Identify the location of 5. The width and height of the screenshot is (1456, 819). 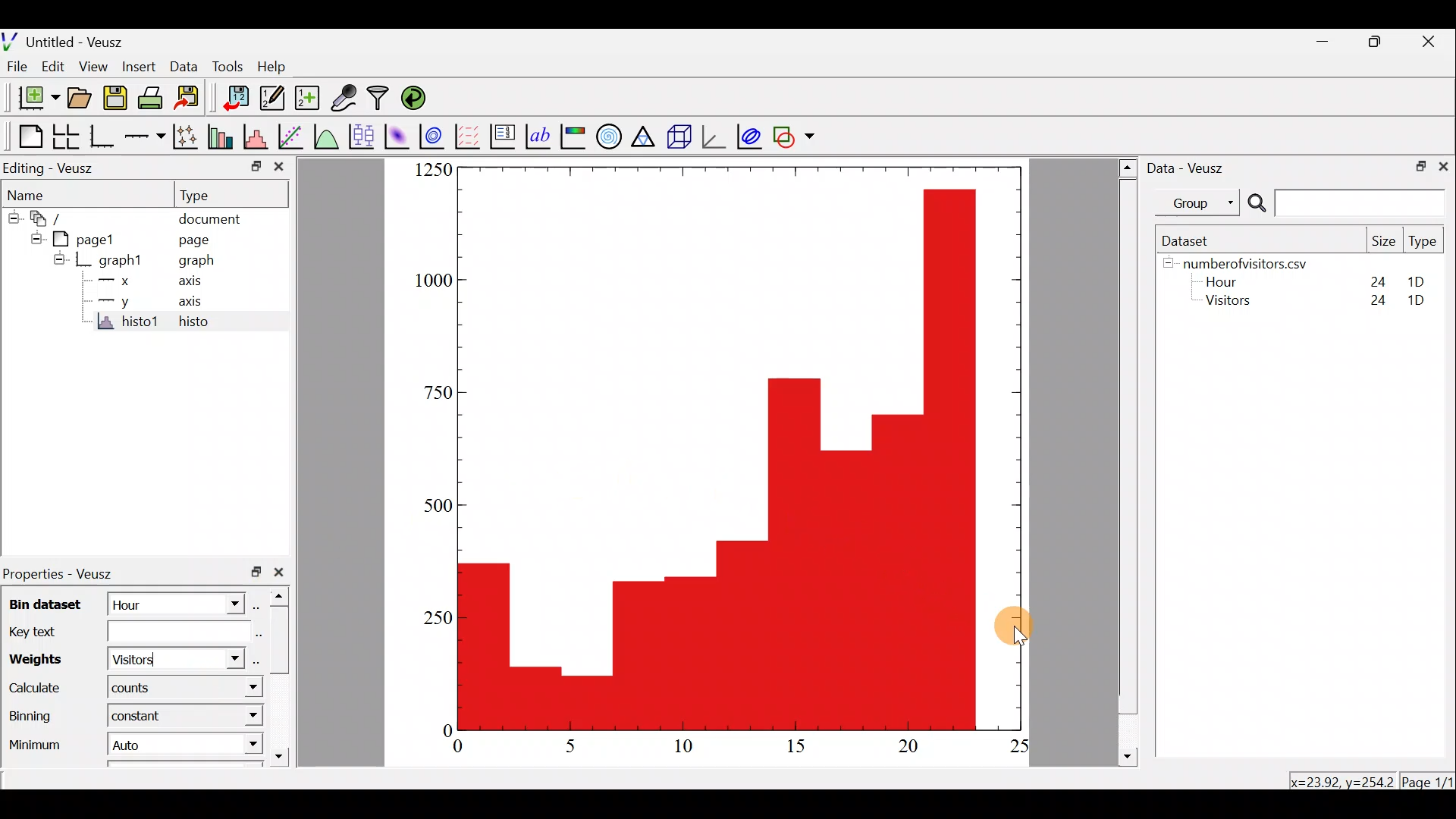
(573, 745).